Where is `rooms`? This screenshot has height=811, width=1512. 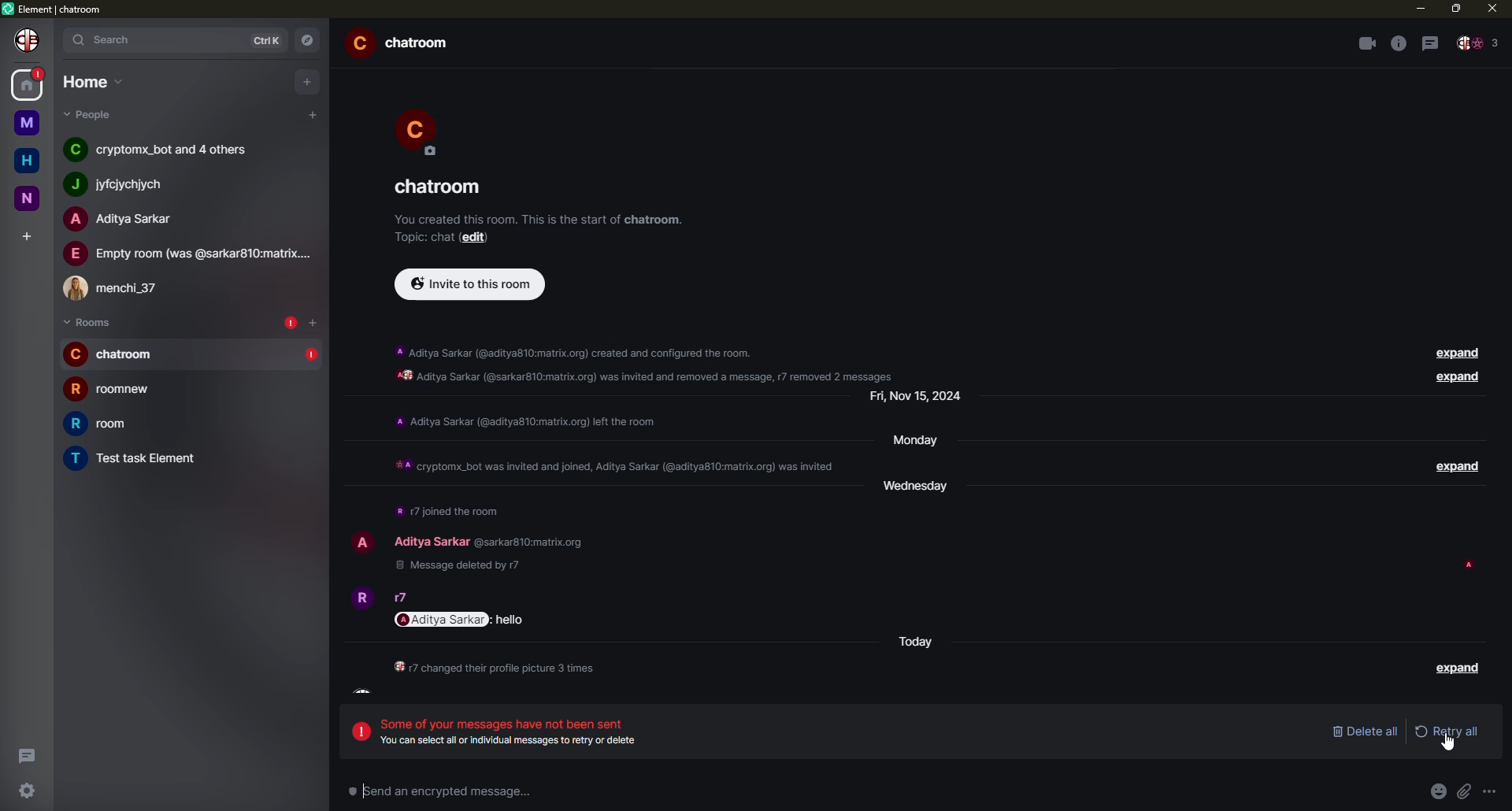
rooms is located at coordinates (88, 322).